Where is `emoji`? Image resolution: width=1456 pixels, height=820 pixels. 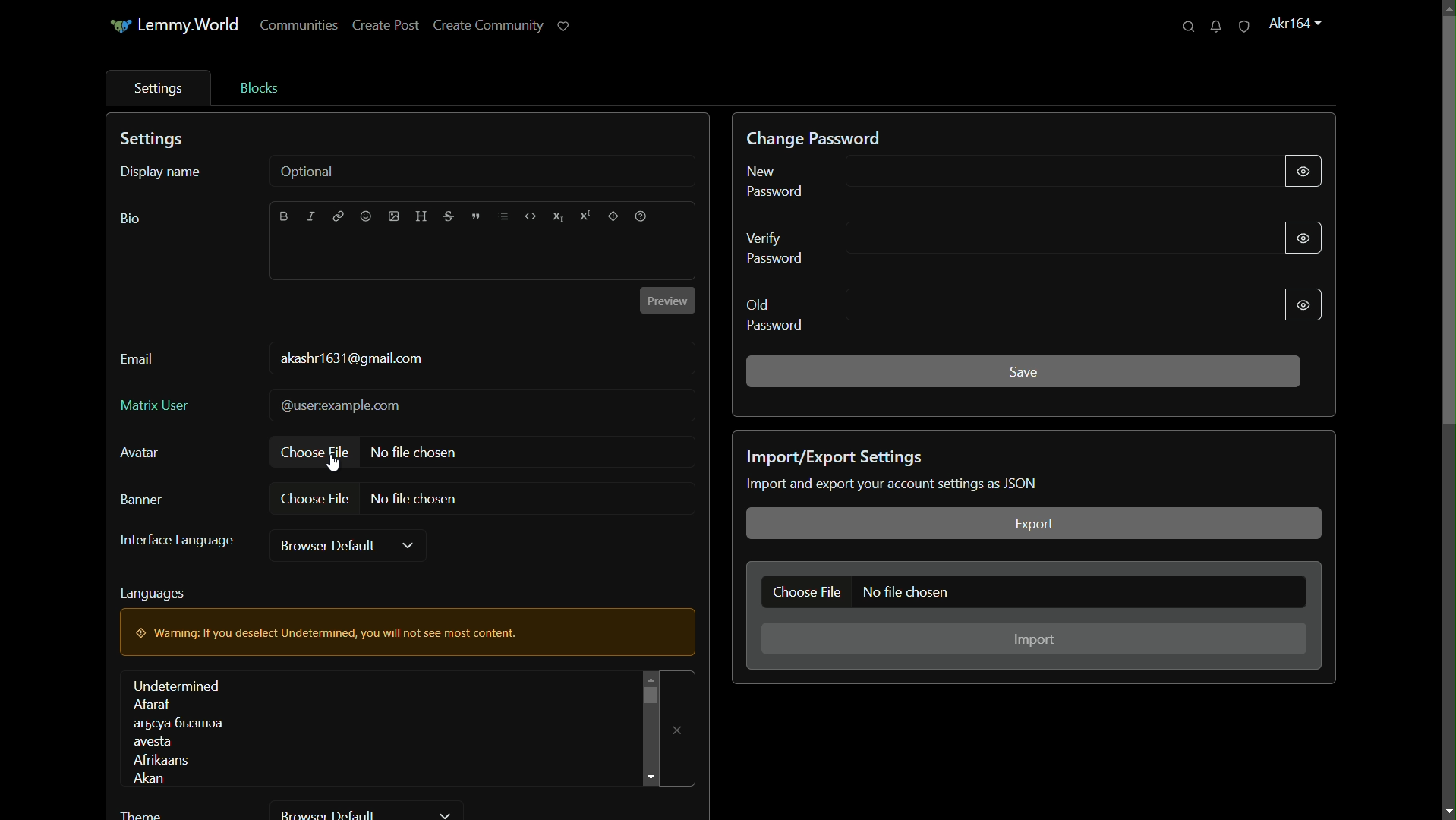 emoji is located at coordinates (364, 217).